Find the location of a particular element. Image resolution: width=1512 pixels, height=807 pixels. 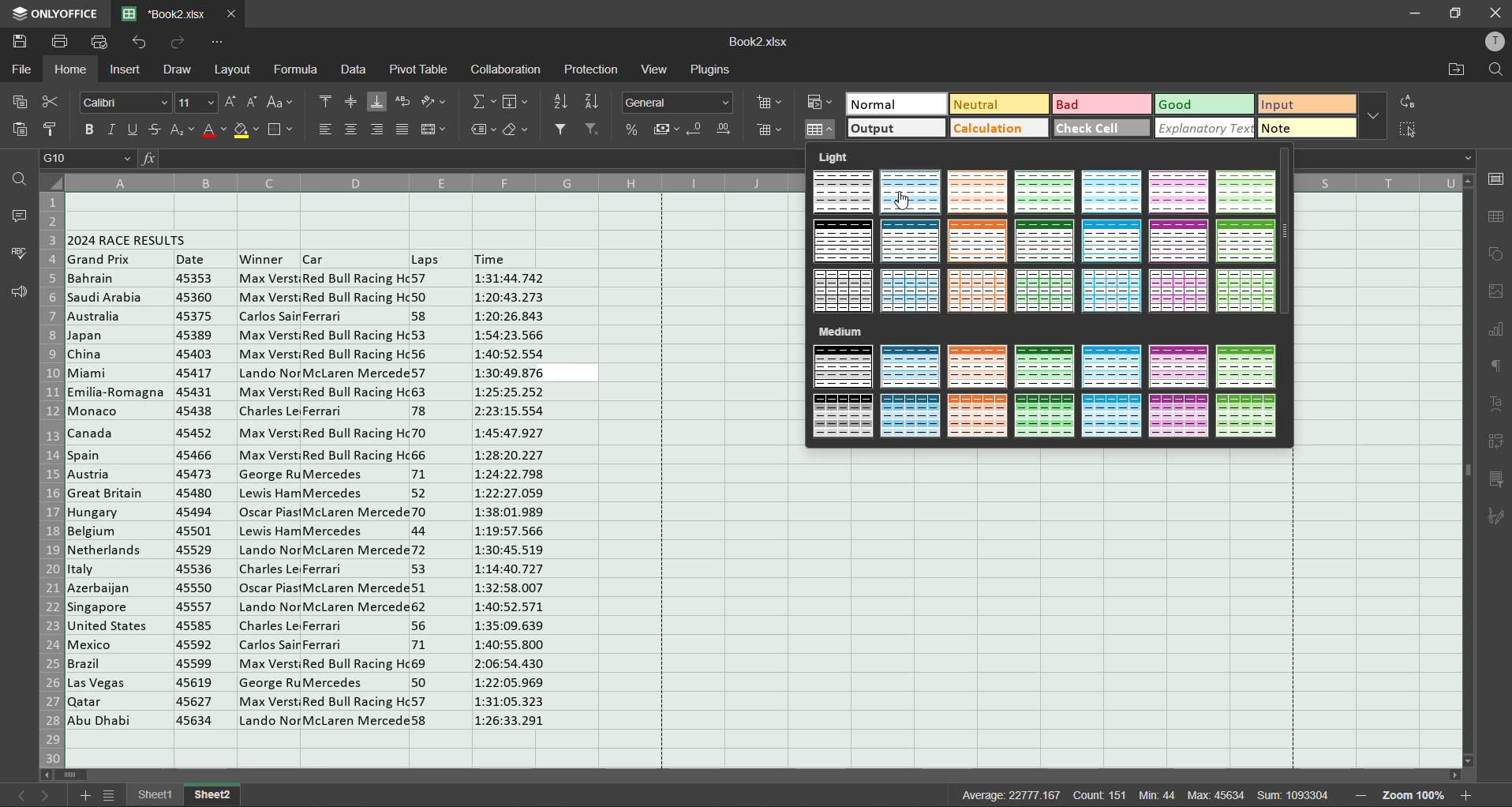

table style medium 13 is located at coordinates (1177, 415).